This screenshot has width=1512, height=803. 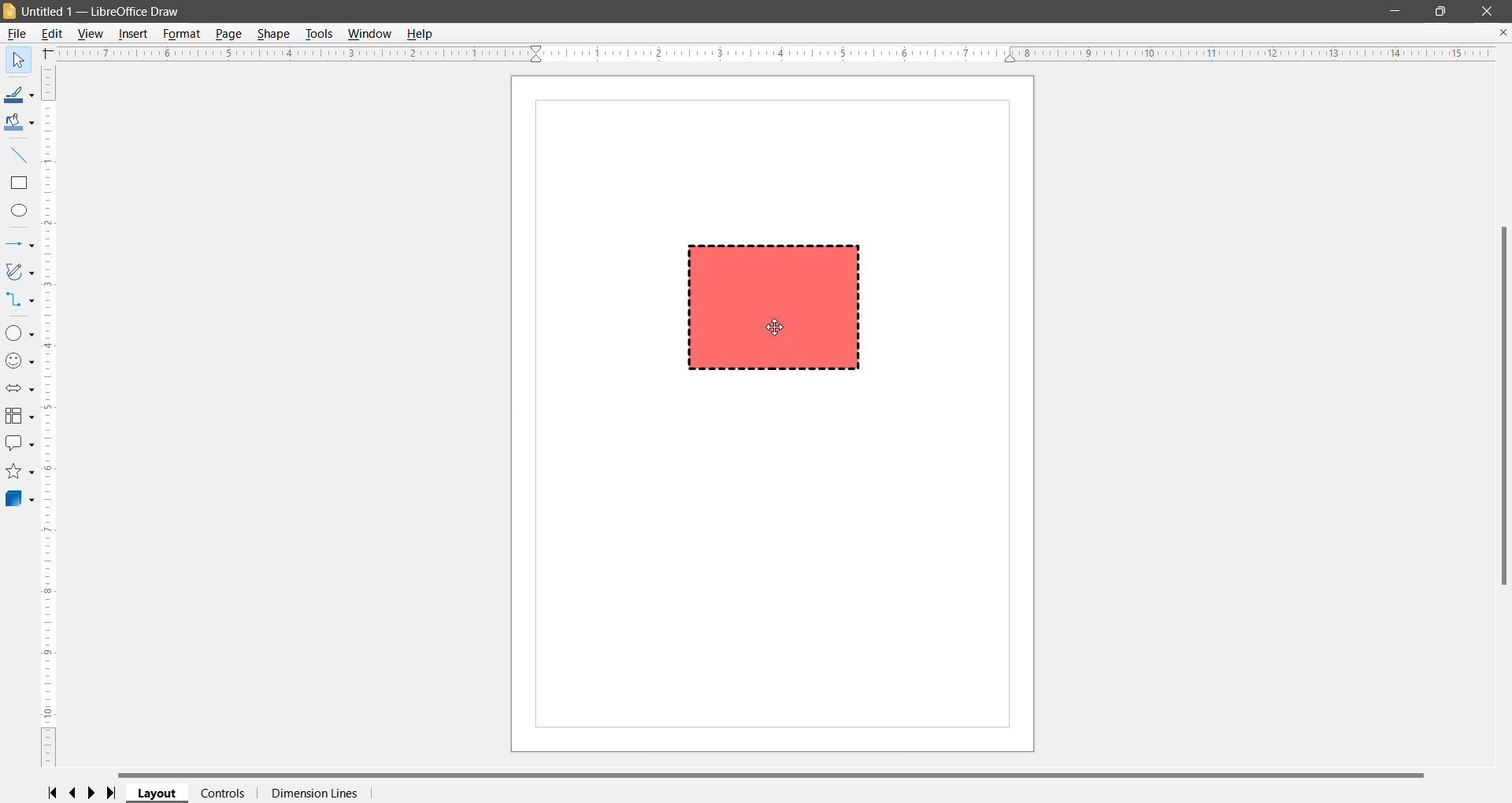 I want to click on Close Document, so click(x=1503, y=32).